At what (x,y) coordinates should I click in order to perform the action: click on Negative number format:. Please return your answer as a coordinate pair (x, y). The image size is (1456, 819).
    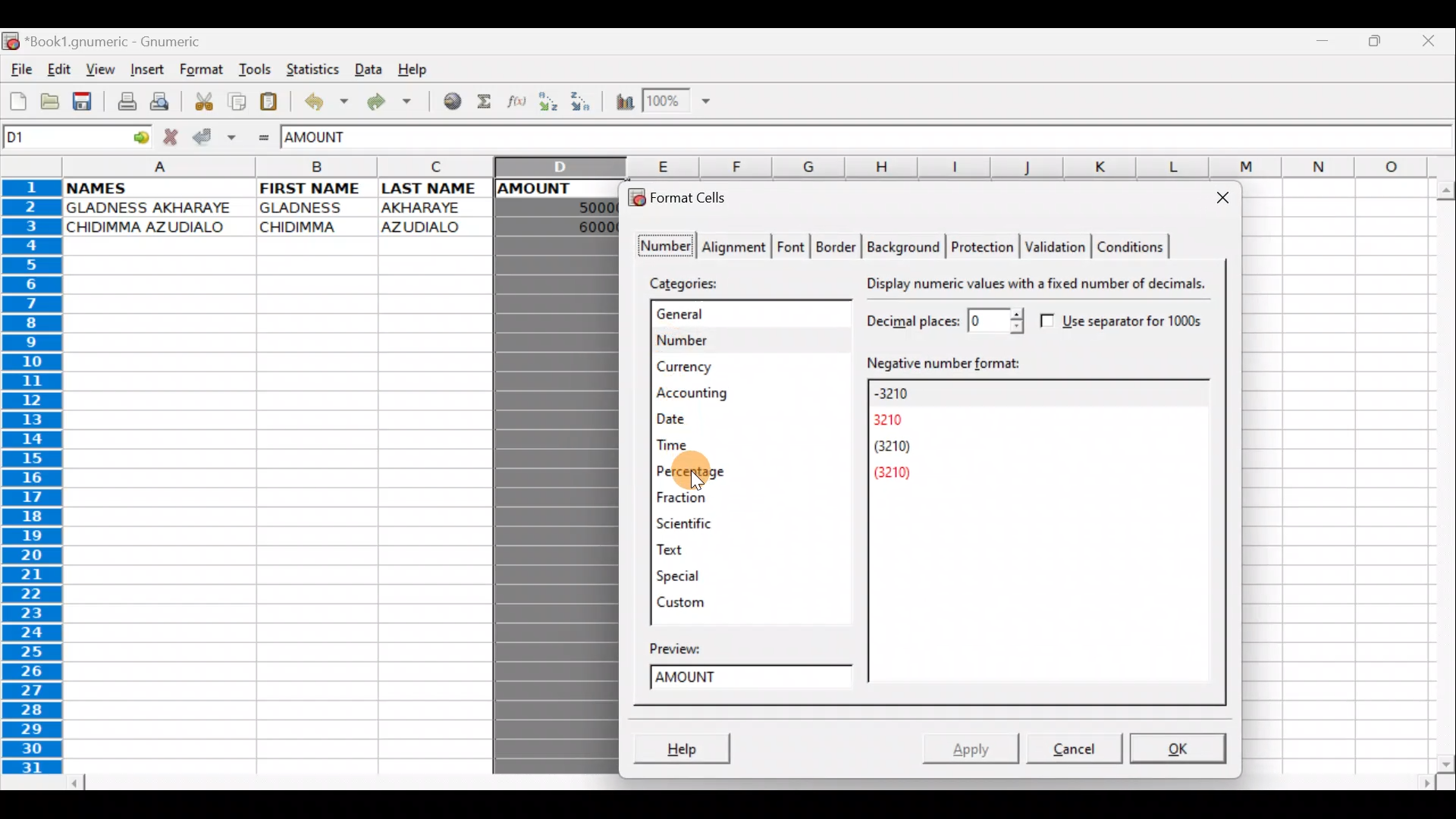
    Looking at the image, I should click on (1034, 362).